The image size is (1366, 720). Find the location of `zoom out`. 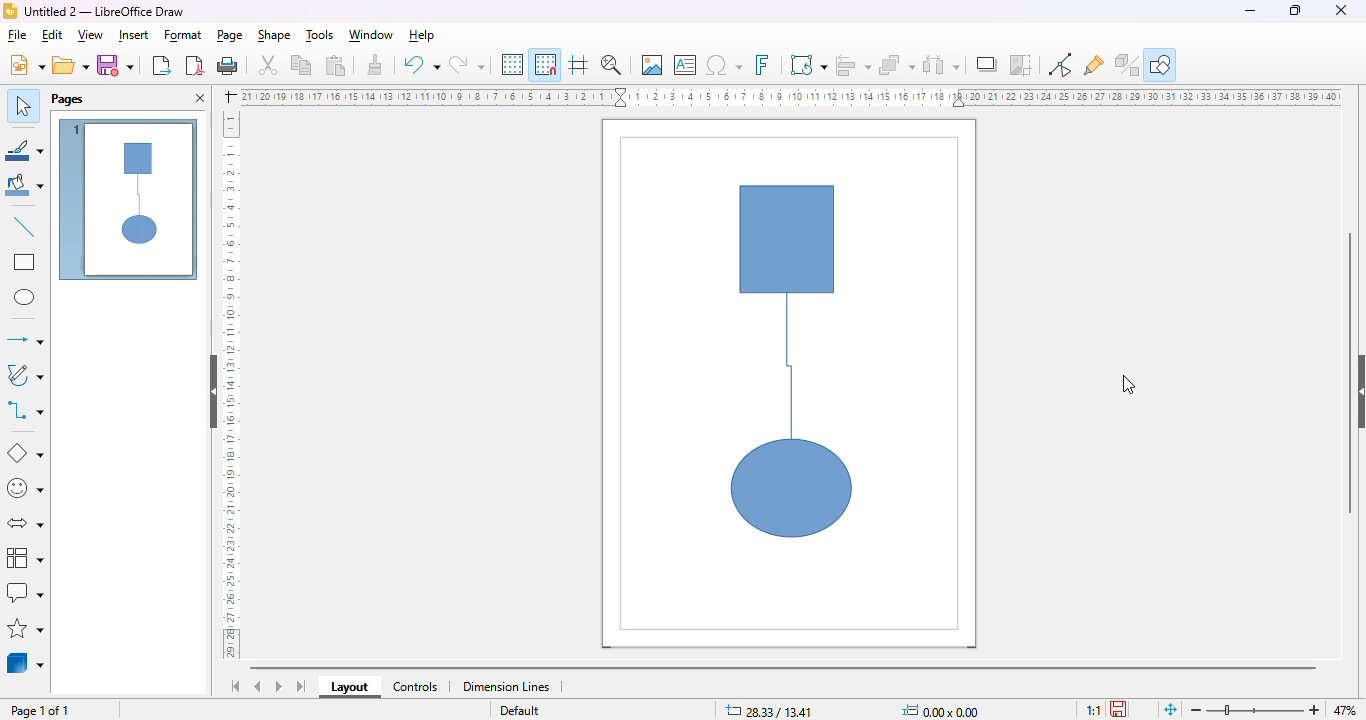

zoom out is located at coordinates (1198, 710).